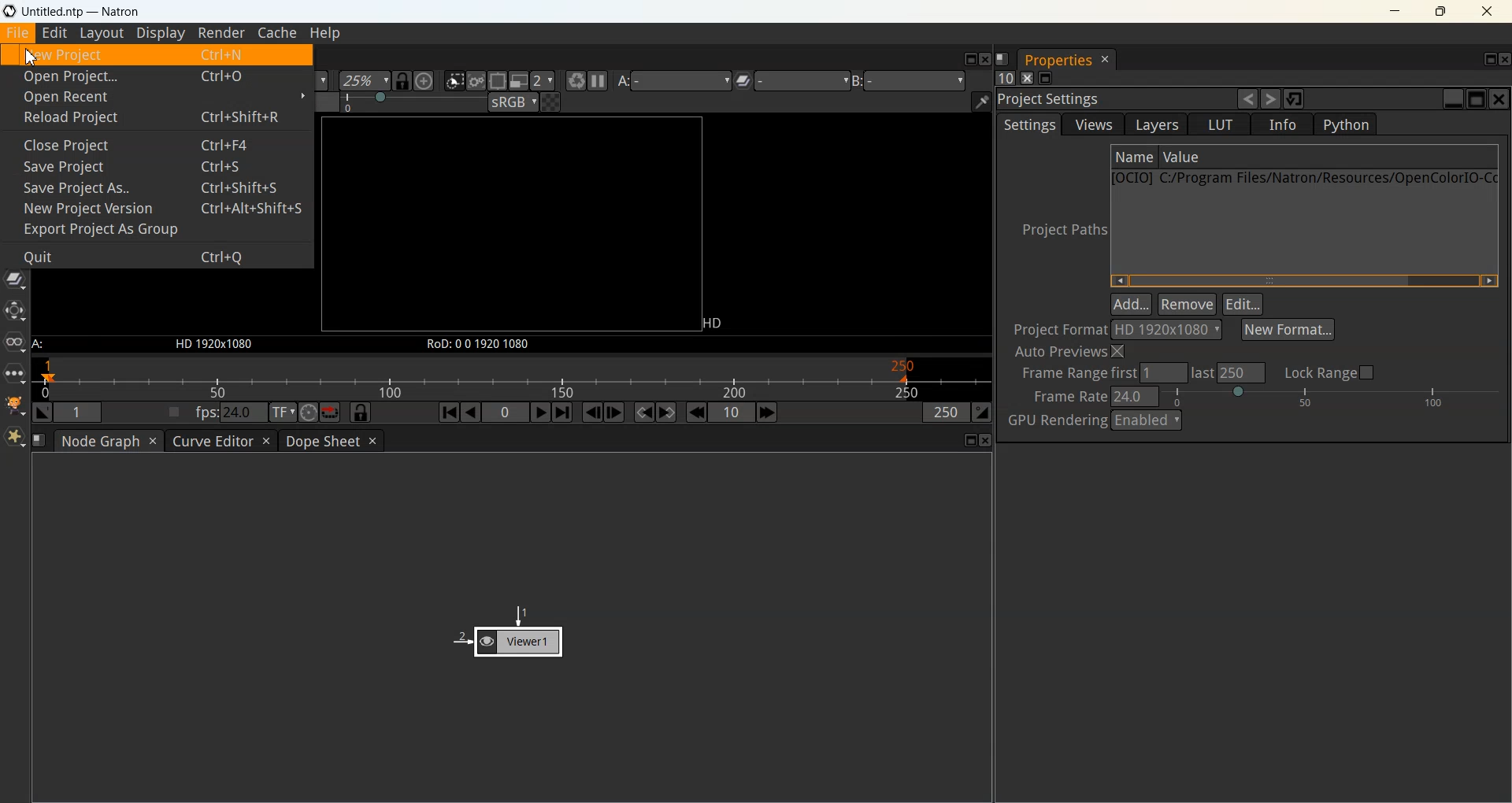  I want to click on Previous Increment, so click(696, 412).